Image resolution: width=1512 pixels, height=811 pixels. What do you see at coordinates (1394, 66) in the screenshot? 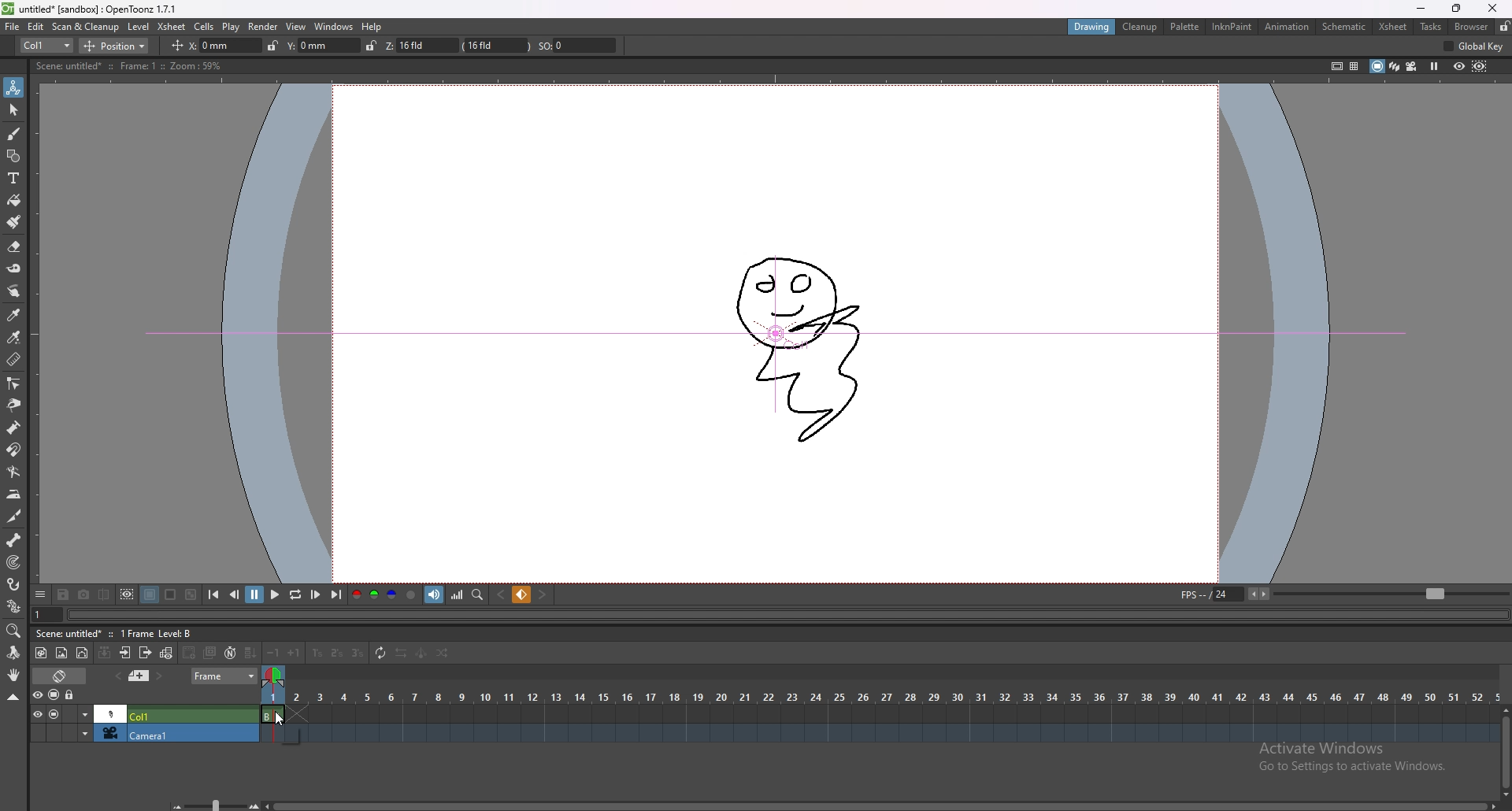
I see `3d` at bounding box center [1394, 66].